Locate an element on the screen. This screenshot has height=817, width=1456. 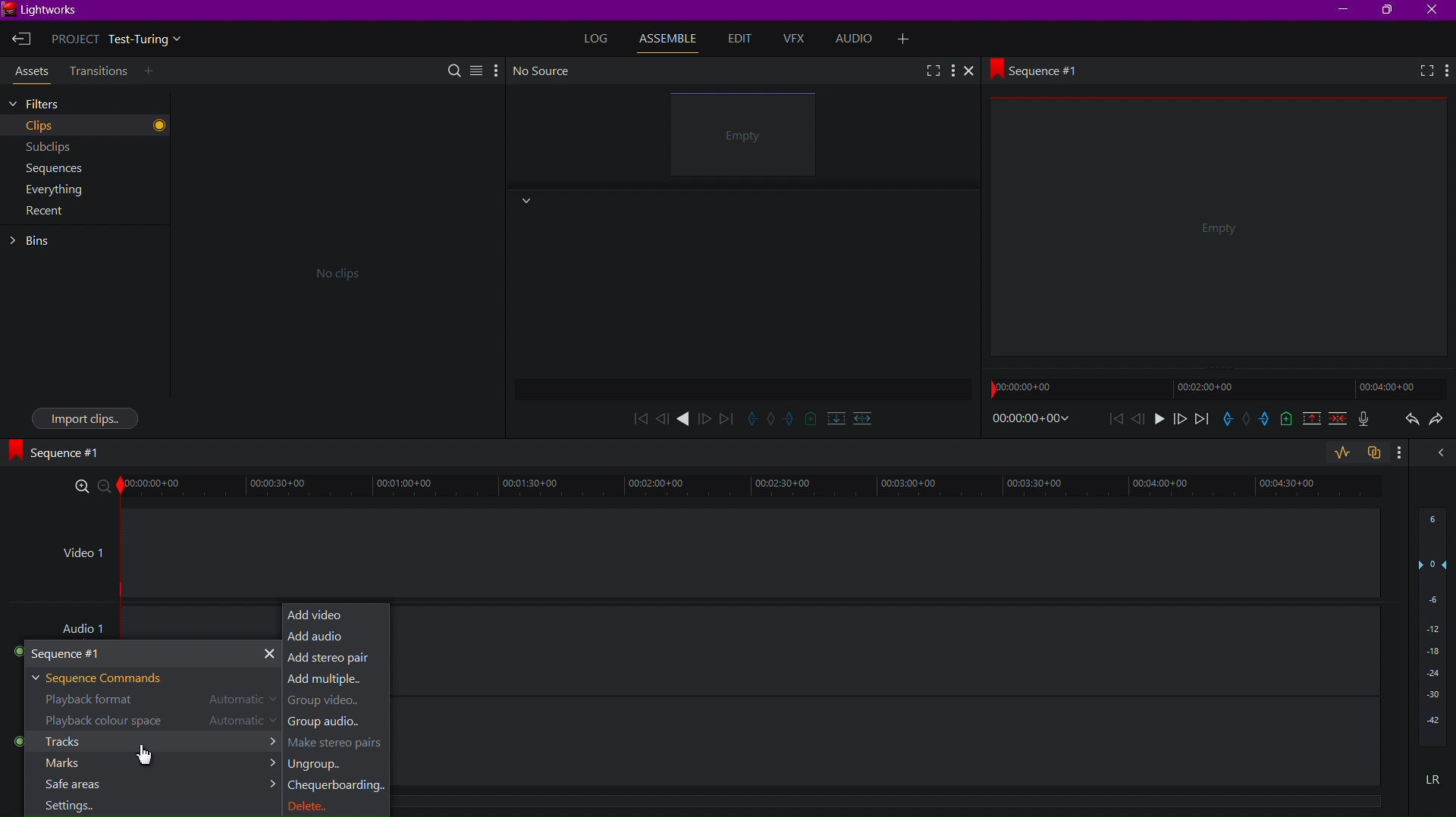
Ungroup is located at coordinates (318, 766).